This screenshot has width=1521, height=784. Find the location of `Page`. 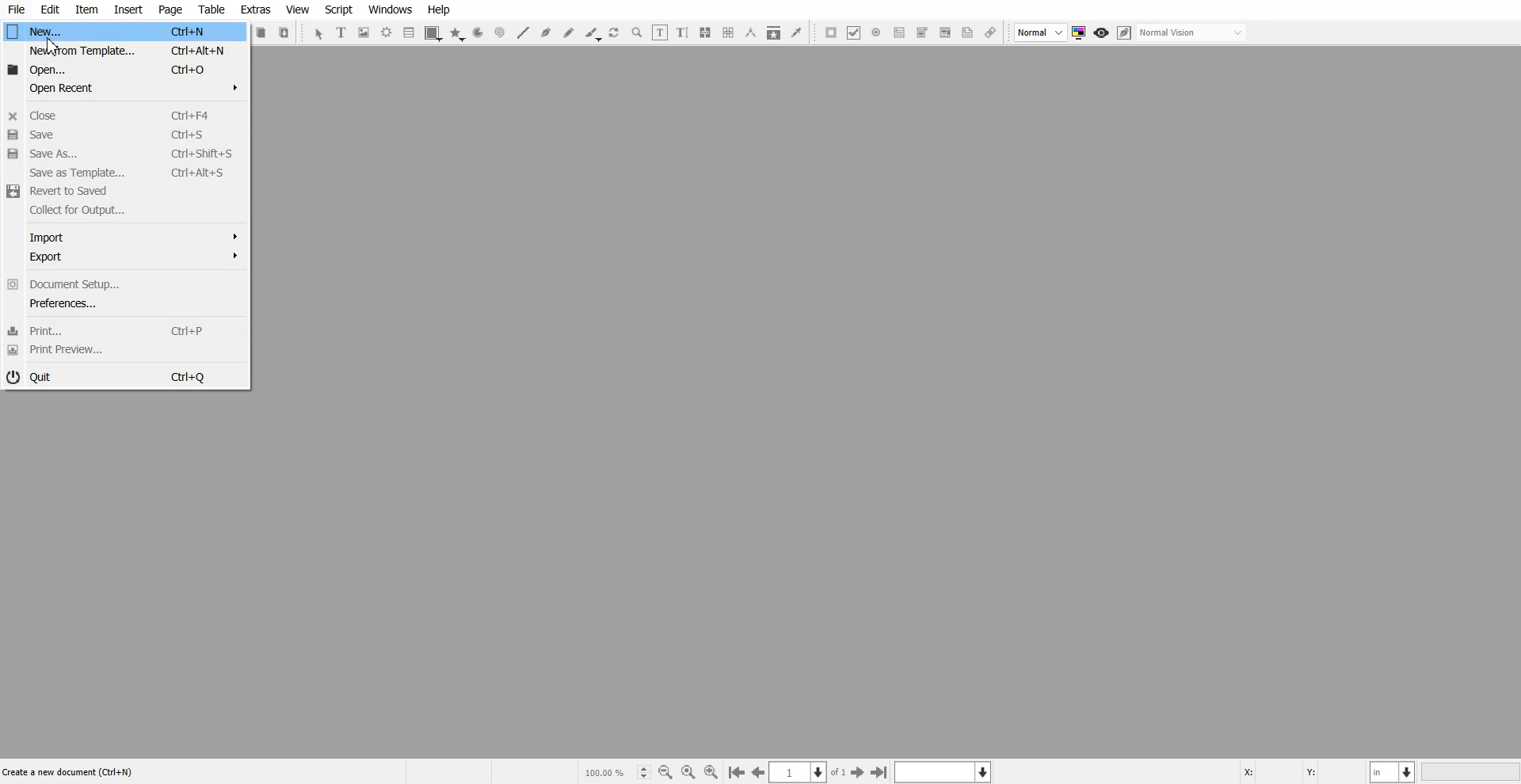

Page is located at coordinates (170, 10).